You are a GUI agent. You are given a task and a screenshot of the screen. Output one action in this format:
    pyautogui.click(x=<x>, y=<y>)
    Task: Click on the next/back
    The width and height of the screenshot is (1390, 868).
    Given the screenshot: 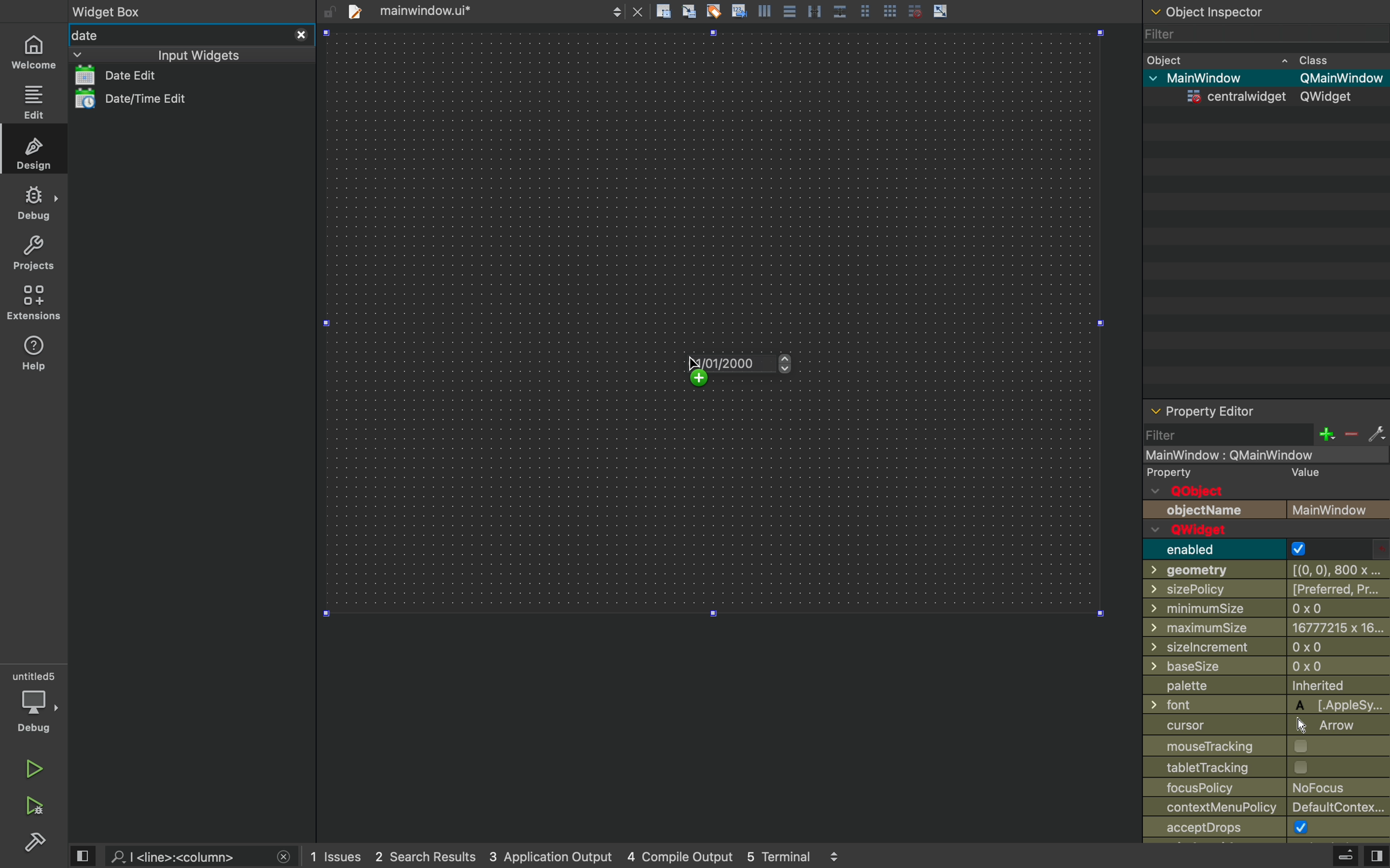 What is the action you would take?
    pyautogui.click(x=616, y=10)
    